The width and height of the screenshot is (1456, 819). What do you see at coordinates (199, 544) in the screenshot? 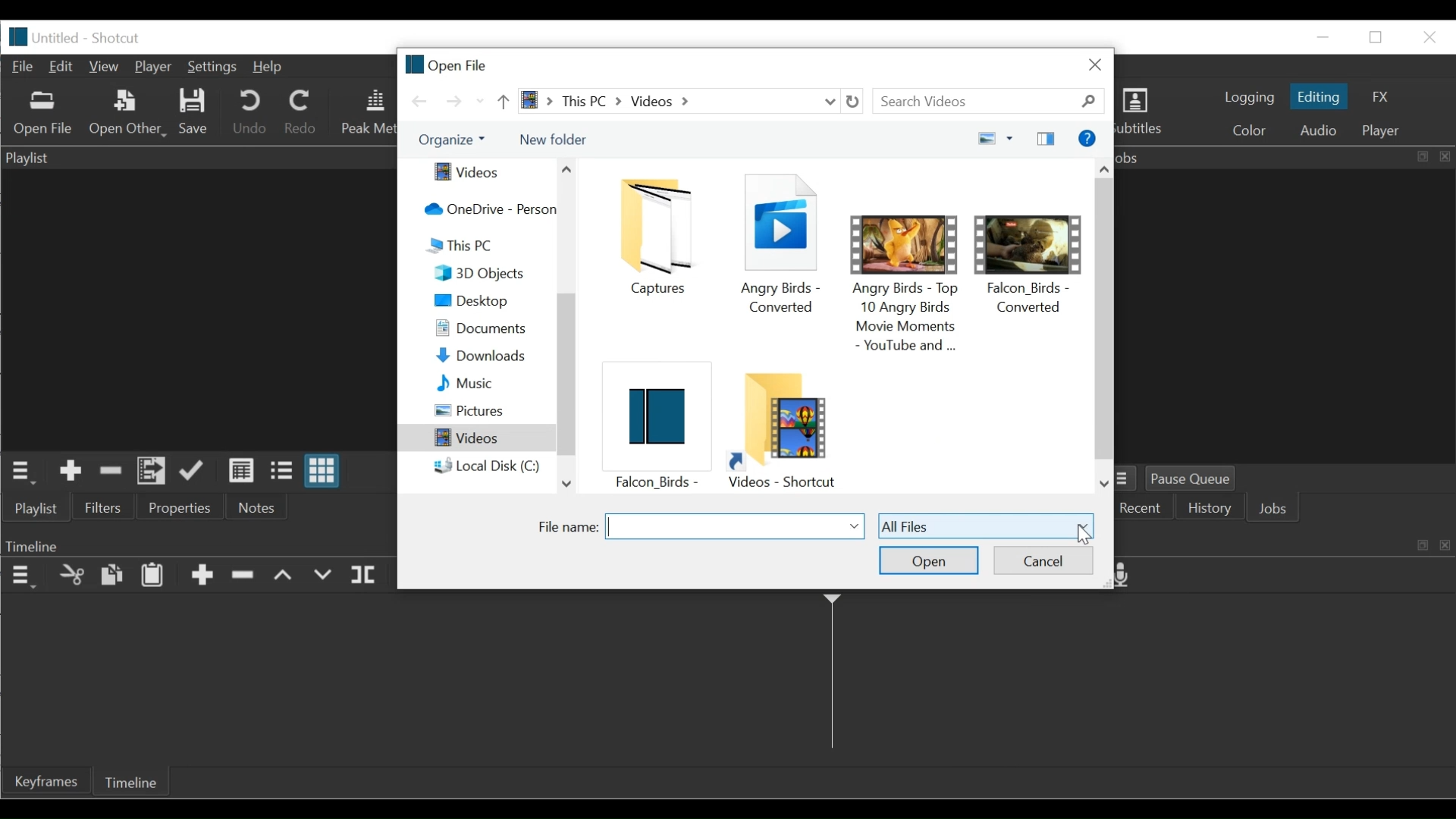
I see `Timeline Panel` at bounding box center [199, 544].